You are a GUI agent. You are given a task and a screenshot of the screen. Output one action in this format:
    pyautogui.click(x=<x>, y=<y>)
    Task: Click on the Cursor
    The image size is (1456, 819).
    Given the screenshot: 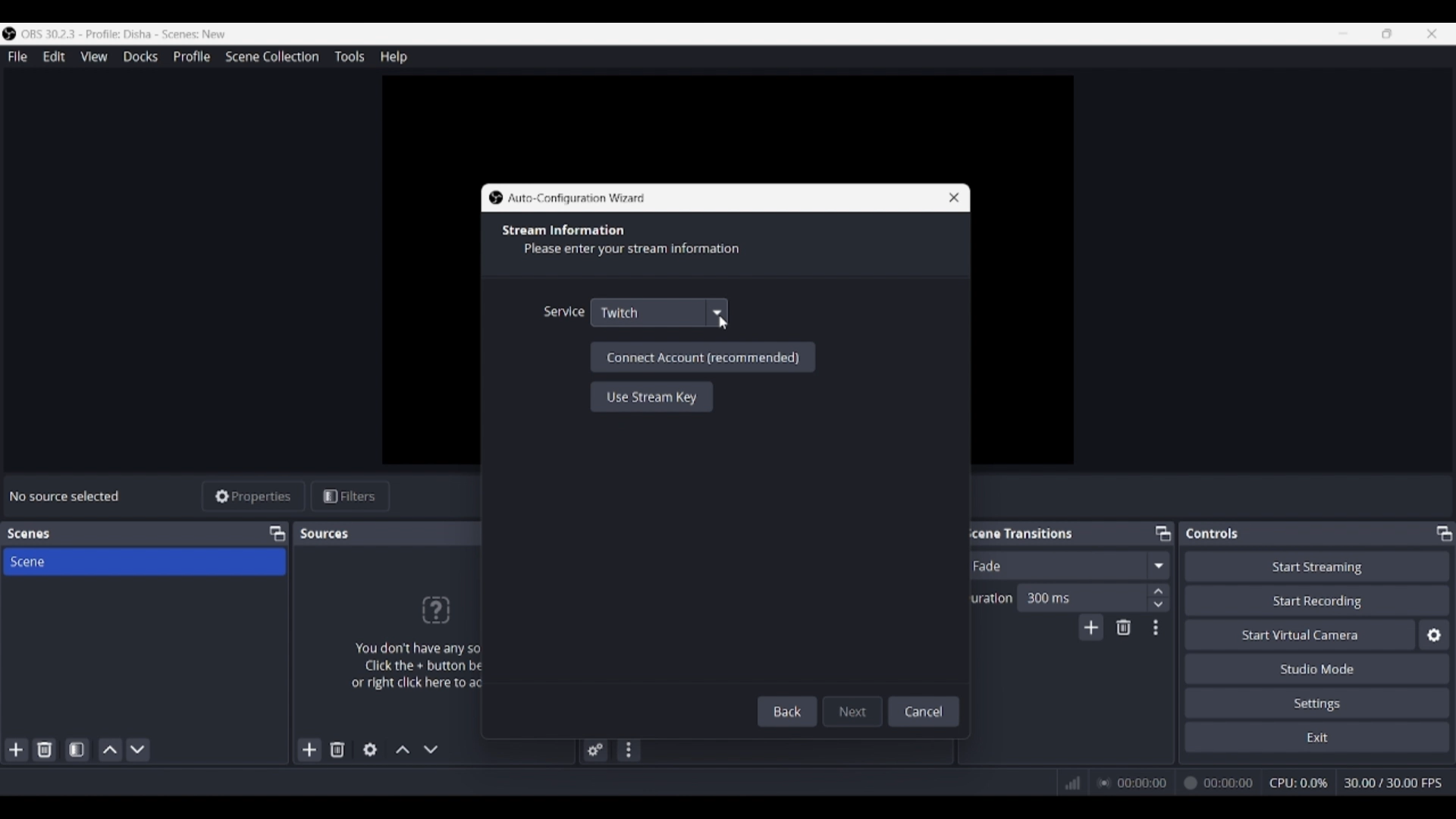 What is the action you would take?
    pyautogui.click(x=731, y=318)
    